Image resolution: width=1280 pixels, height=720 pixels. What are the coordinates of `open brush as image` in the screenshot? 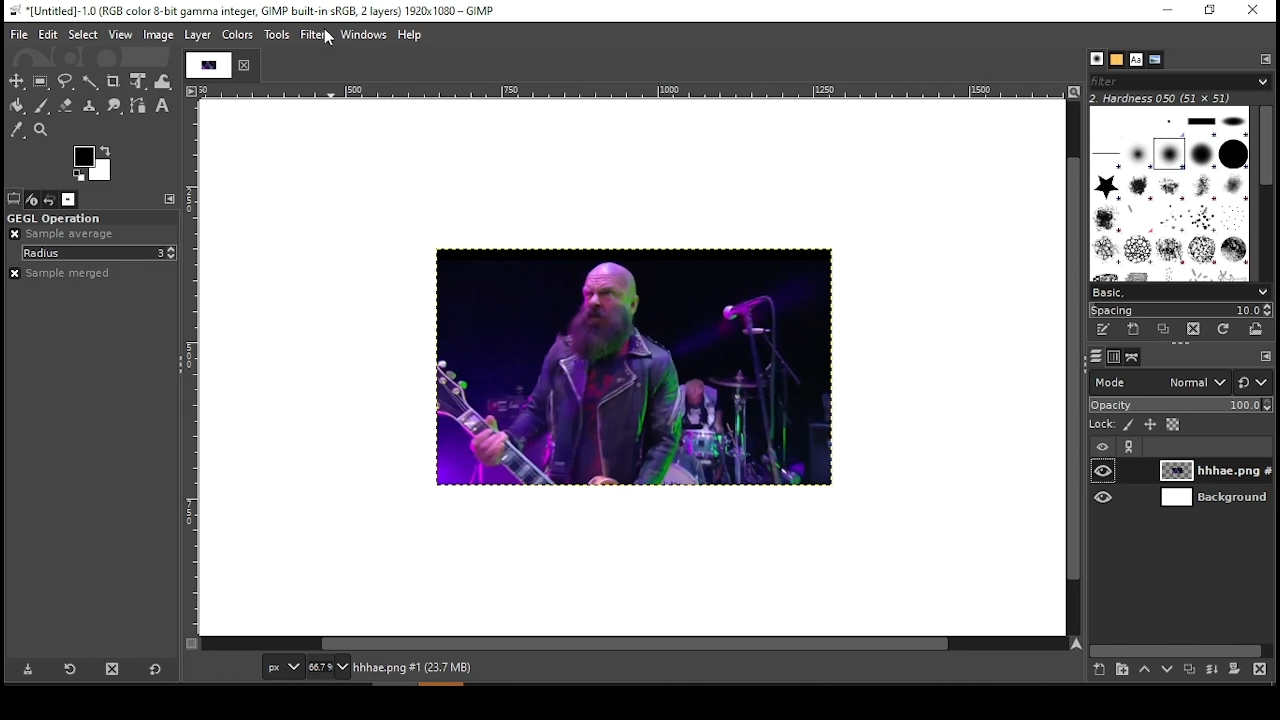 It's located at (1256, 331).